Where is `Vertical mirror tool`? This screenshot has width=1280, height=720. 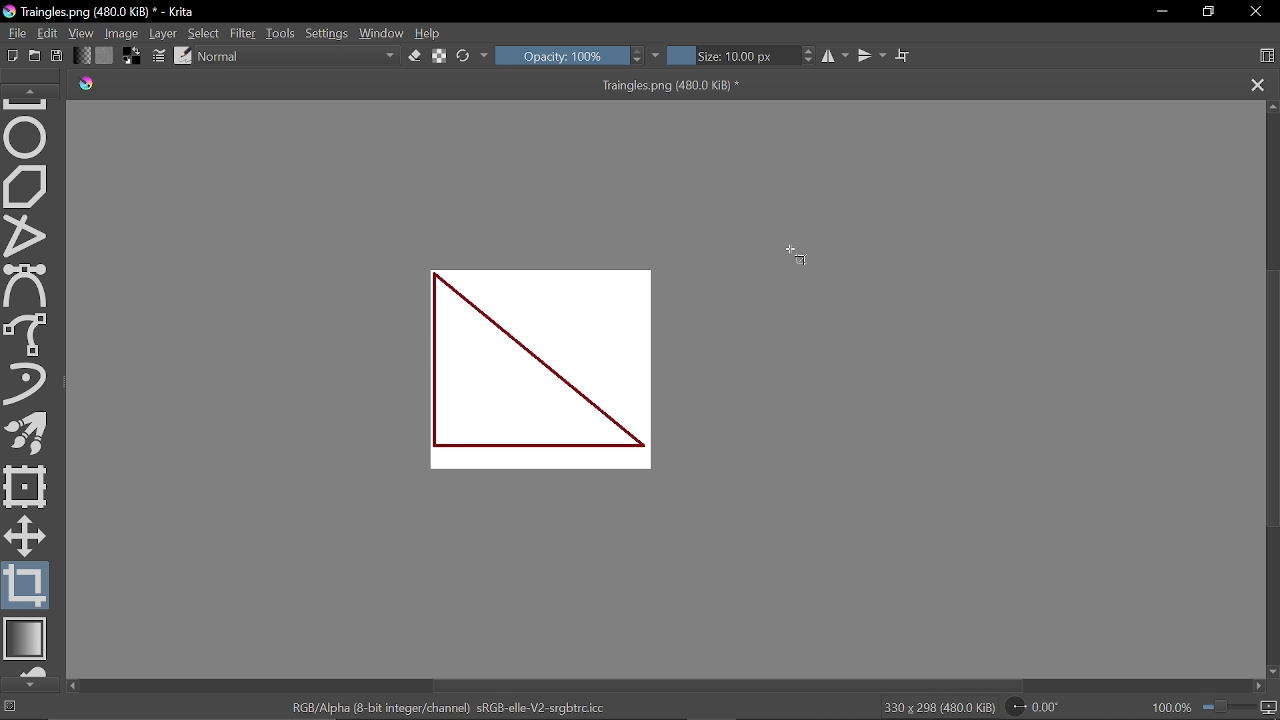
Vertical mirror tool is located at coordinates (873, 55).